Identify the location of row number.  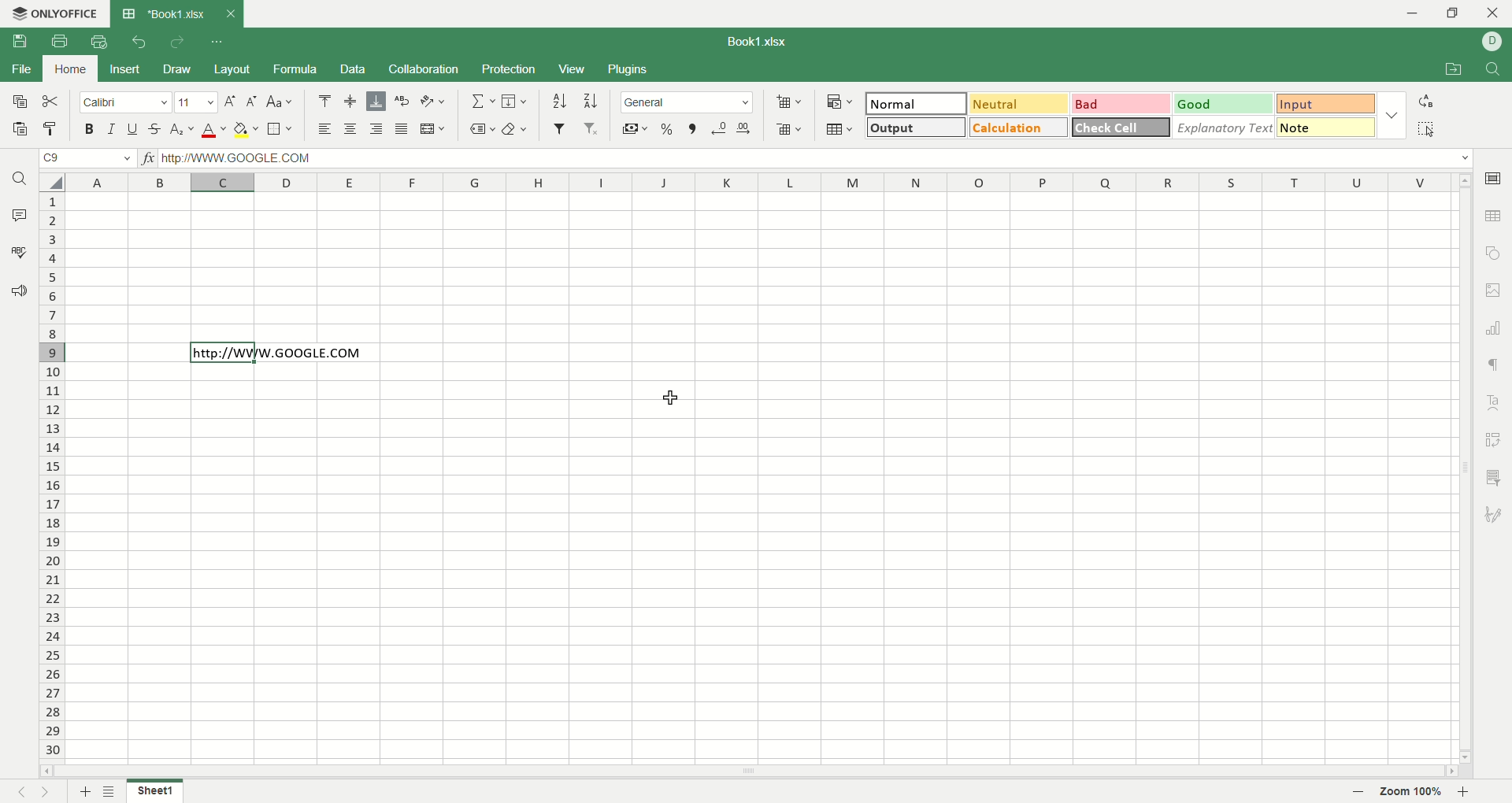
(51, 475).